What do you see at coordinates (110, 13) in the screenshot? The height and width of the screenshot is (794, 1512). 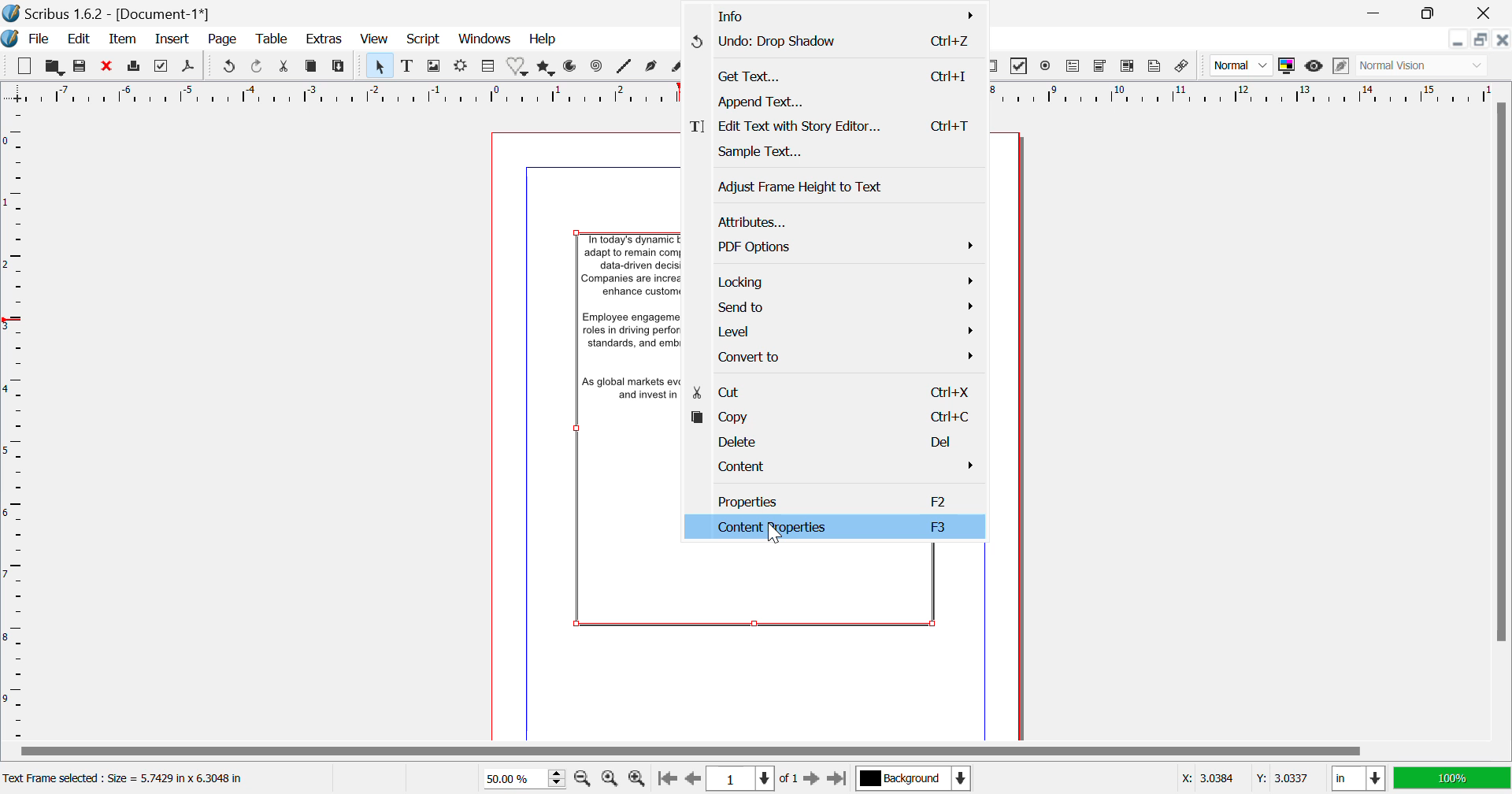 I see `Scribus 1.62 - [Document 1*]` at bounding box center [110, 13].